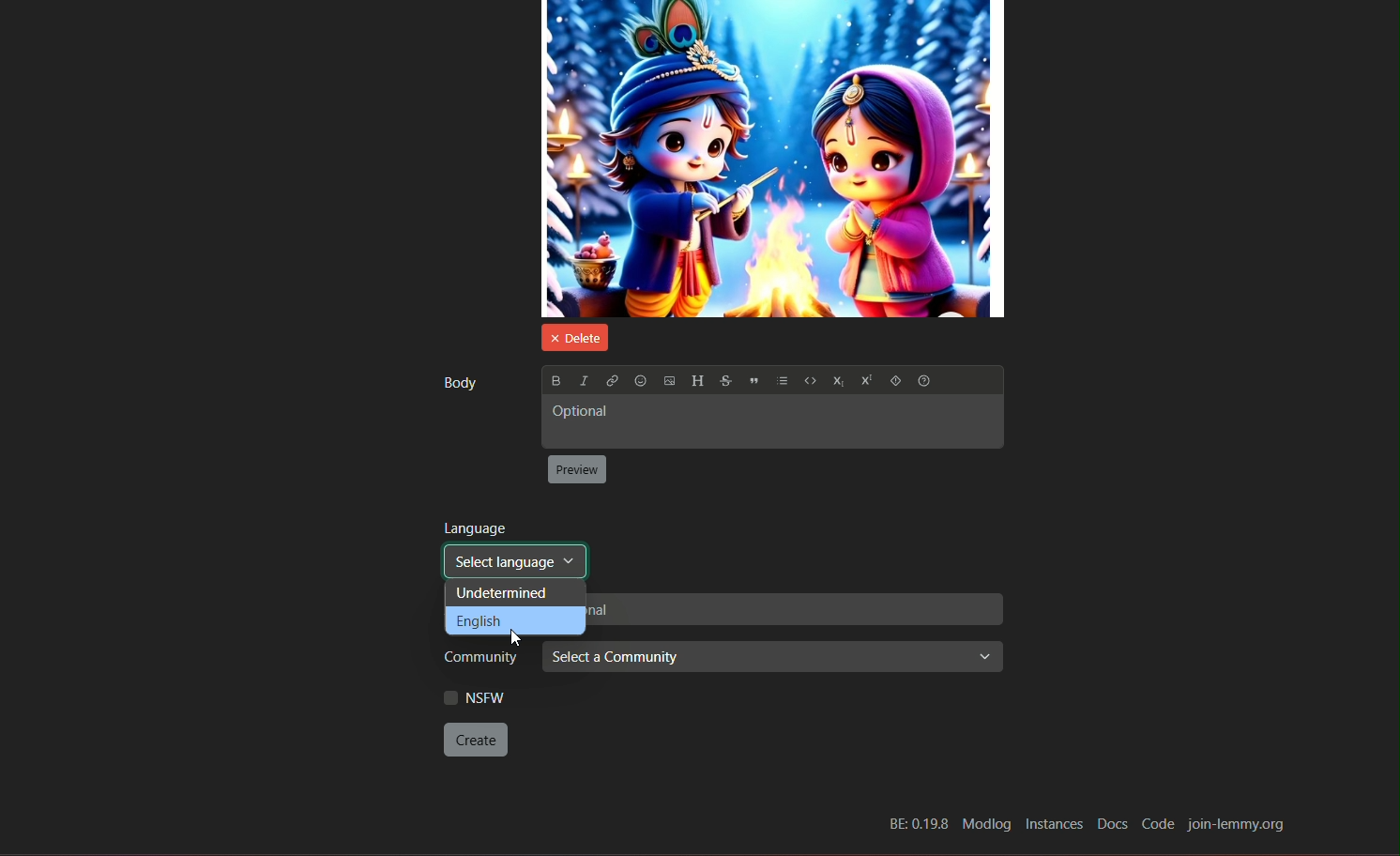 This screenshot has width=1400, height=856. What do you see at coordinates (697, 381) in the screenshot?
I see `header` at bounding box center [697, 381].